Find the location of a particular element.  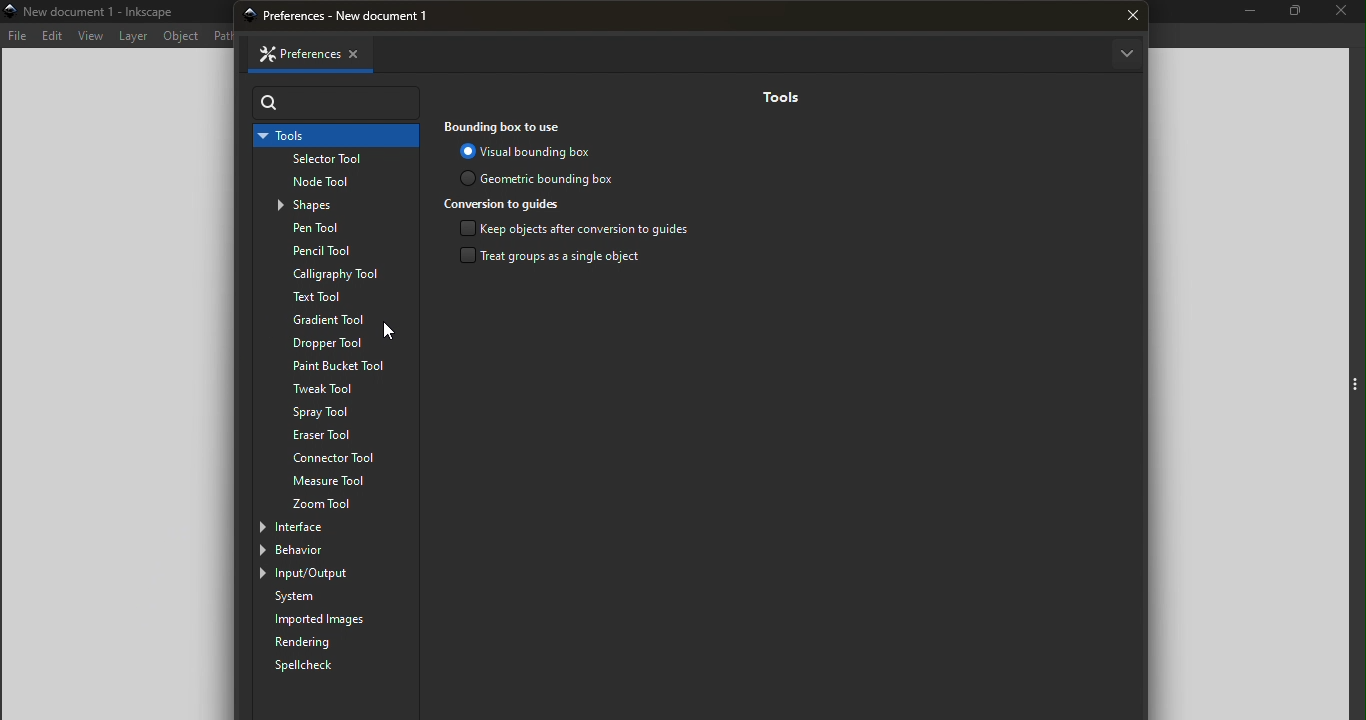

New document 1-Inbcipe is located at coordinates (104, 11).